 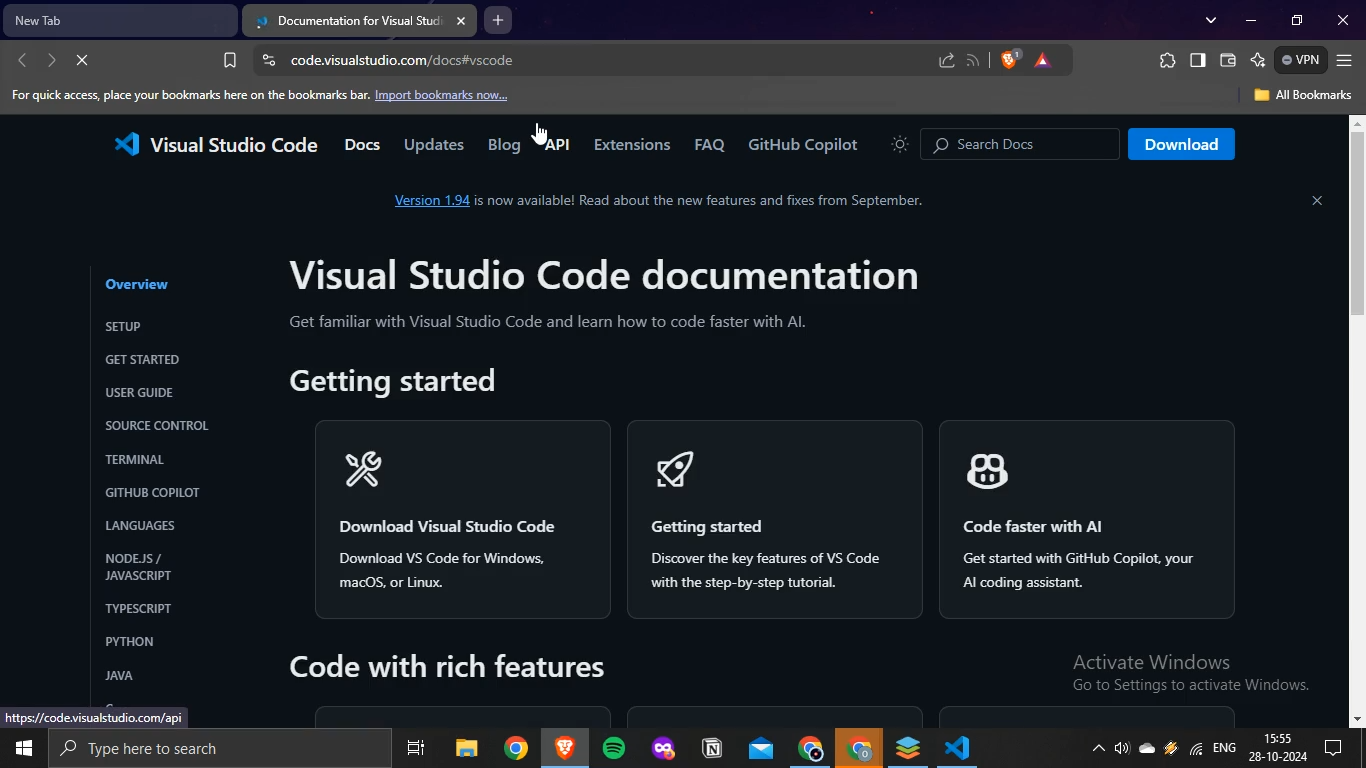 I want to click on Blog, so click(x=505, y=146).